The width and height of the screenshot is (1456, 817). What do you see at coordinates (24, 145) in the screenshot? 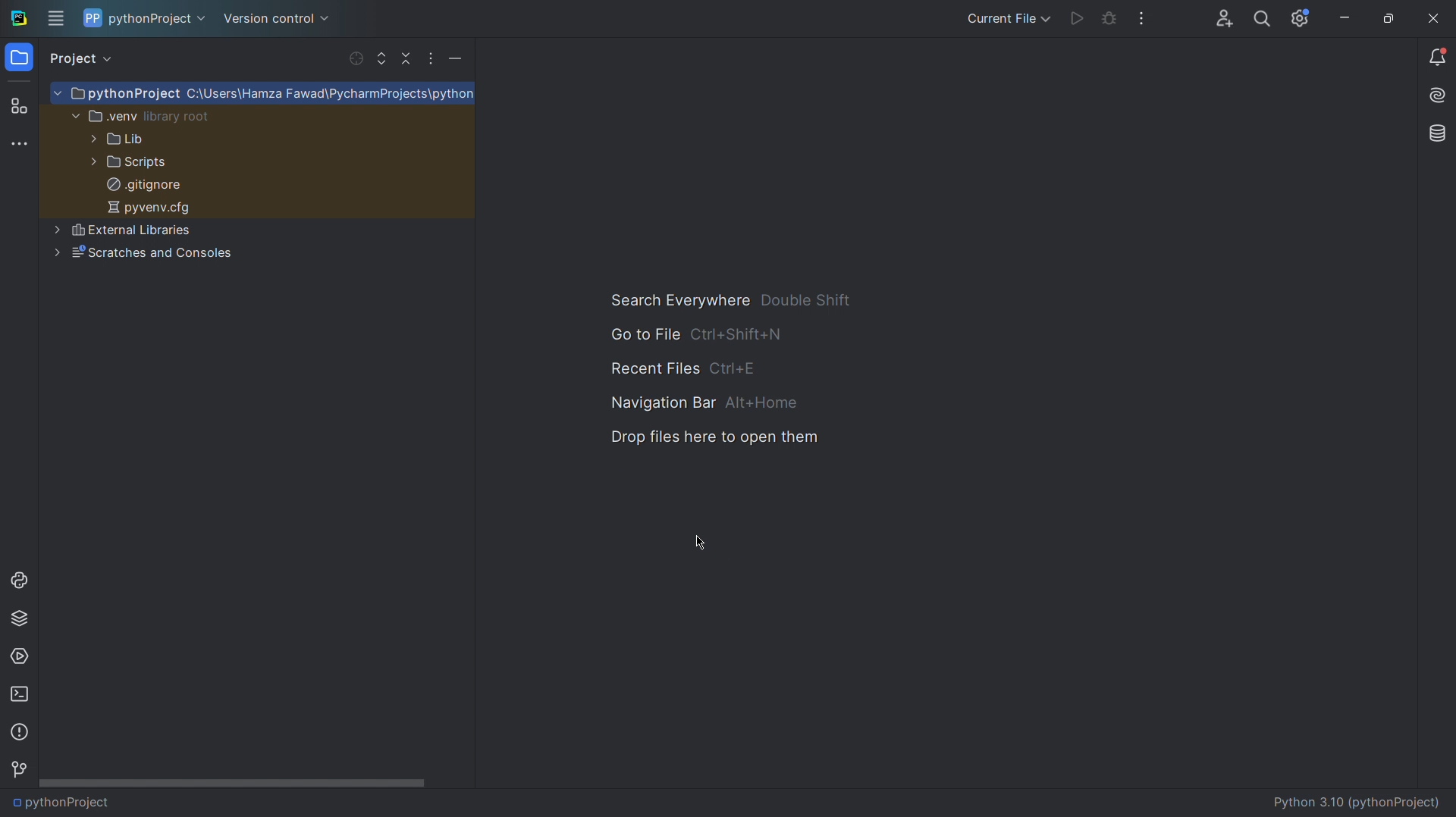
I see `More` at bounding box center [24, 145].